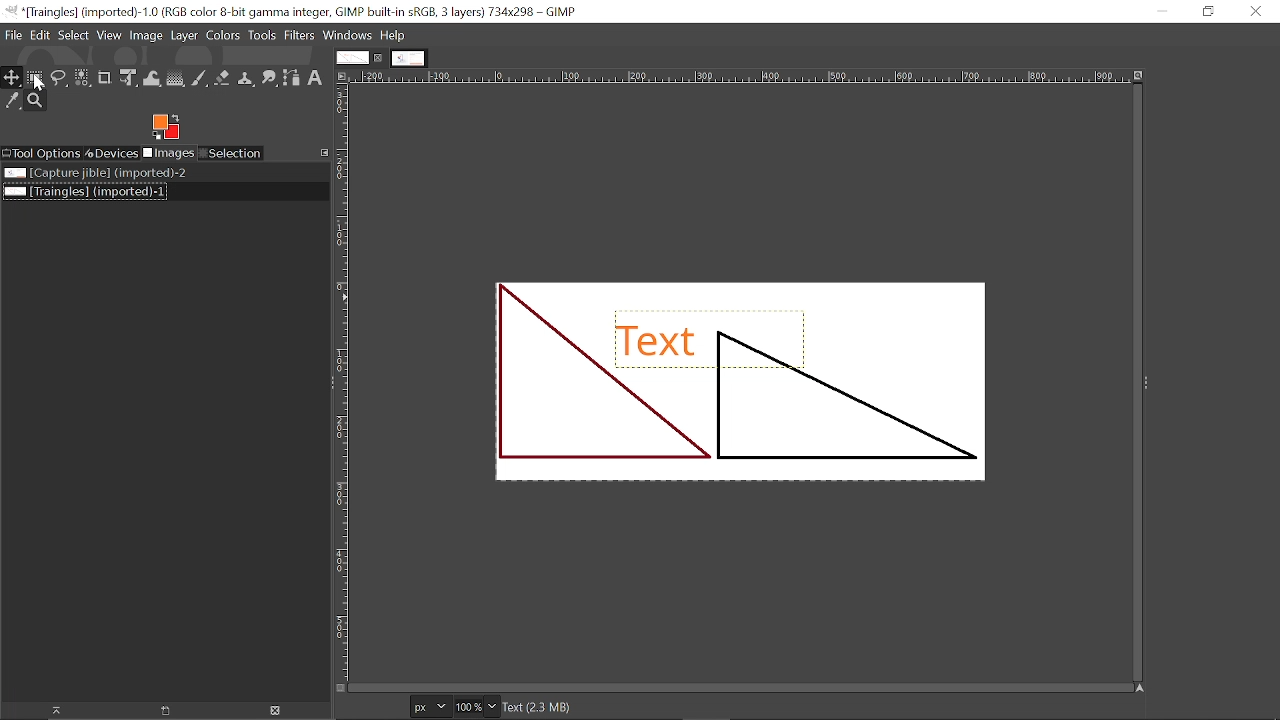  I want to click on Foreground color, so click(168, 126).